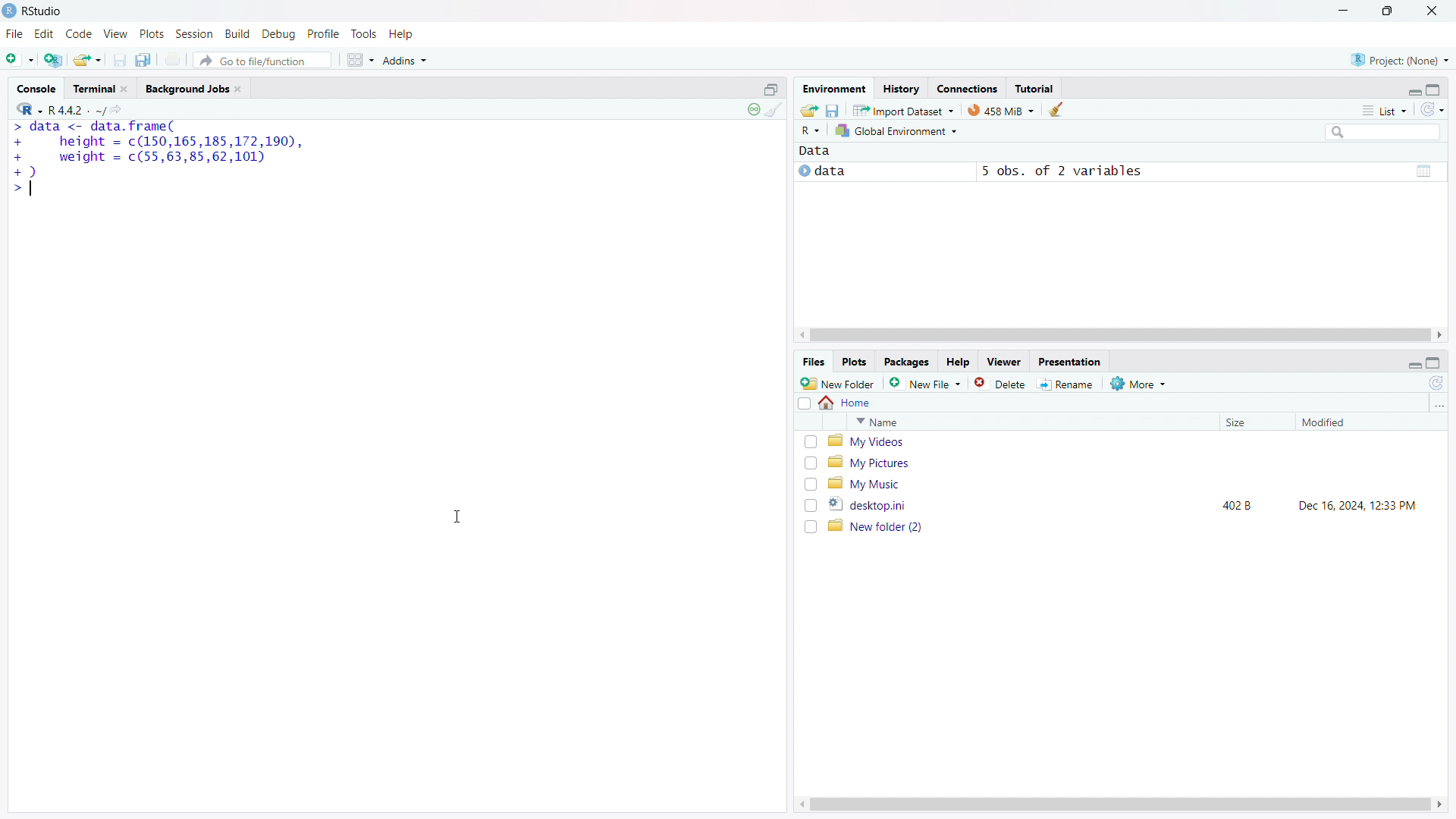  What do you see at coordinates (93, 127) in the screenshot?
I see `> data <- data.trame(` at bounding box center [93, 127].